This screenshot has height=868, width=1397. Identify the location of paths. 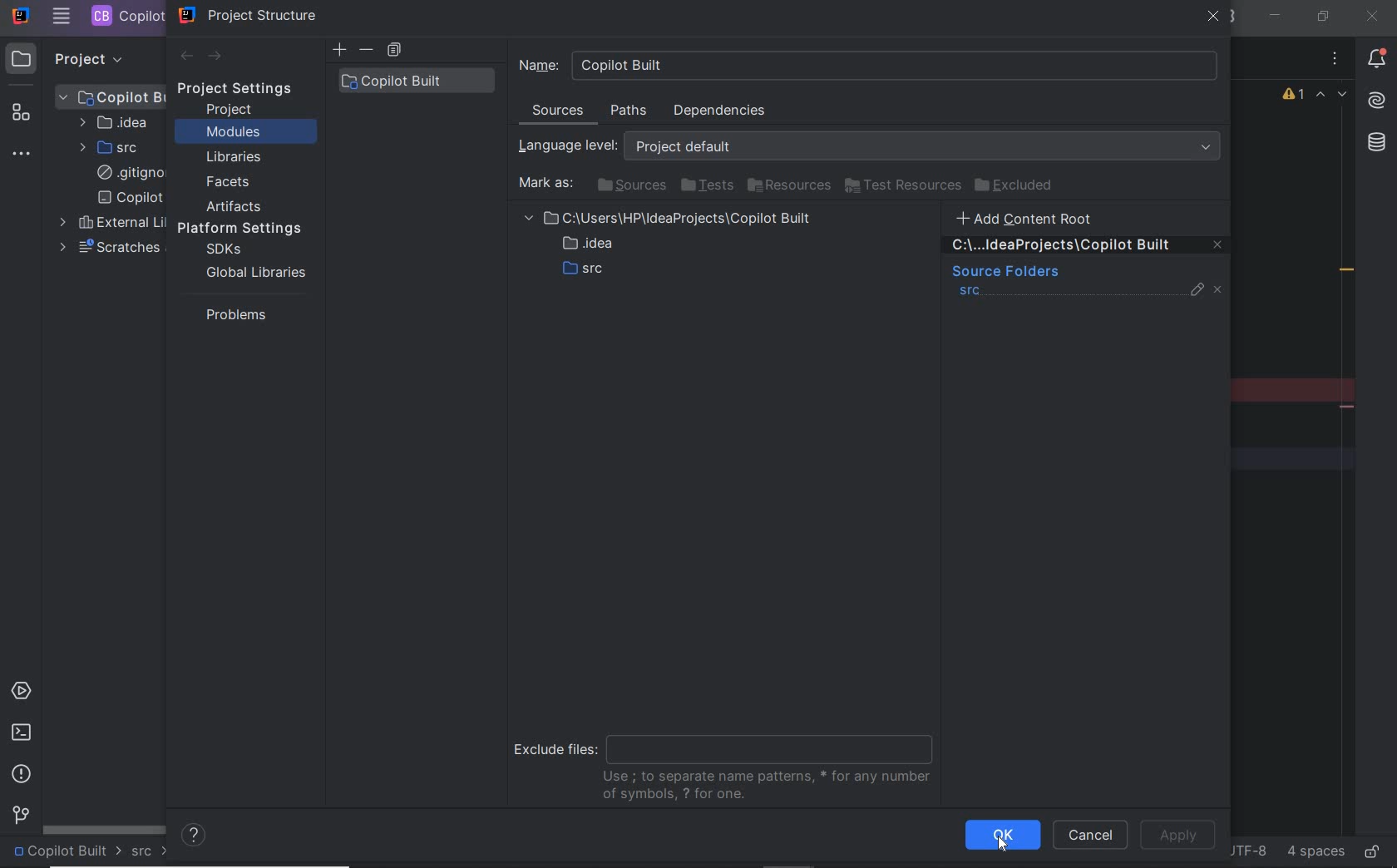
(631, 111).